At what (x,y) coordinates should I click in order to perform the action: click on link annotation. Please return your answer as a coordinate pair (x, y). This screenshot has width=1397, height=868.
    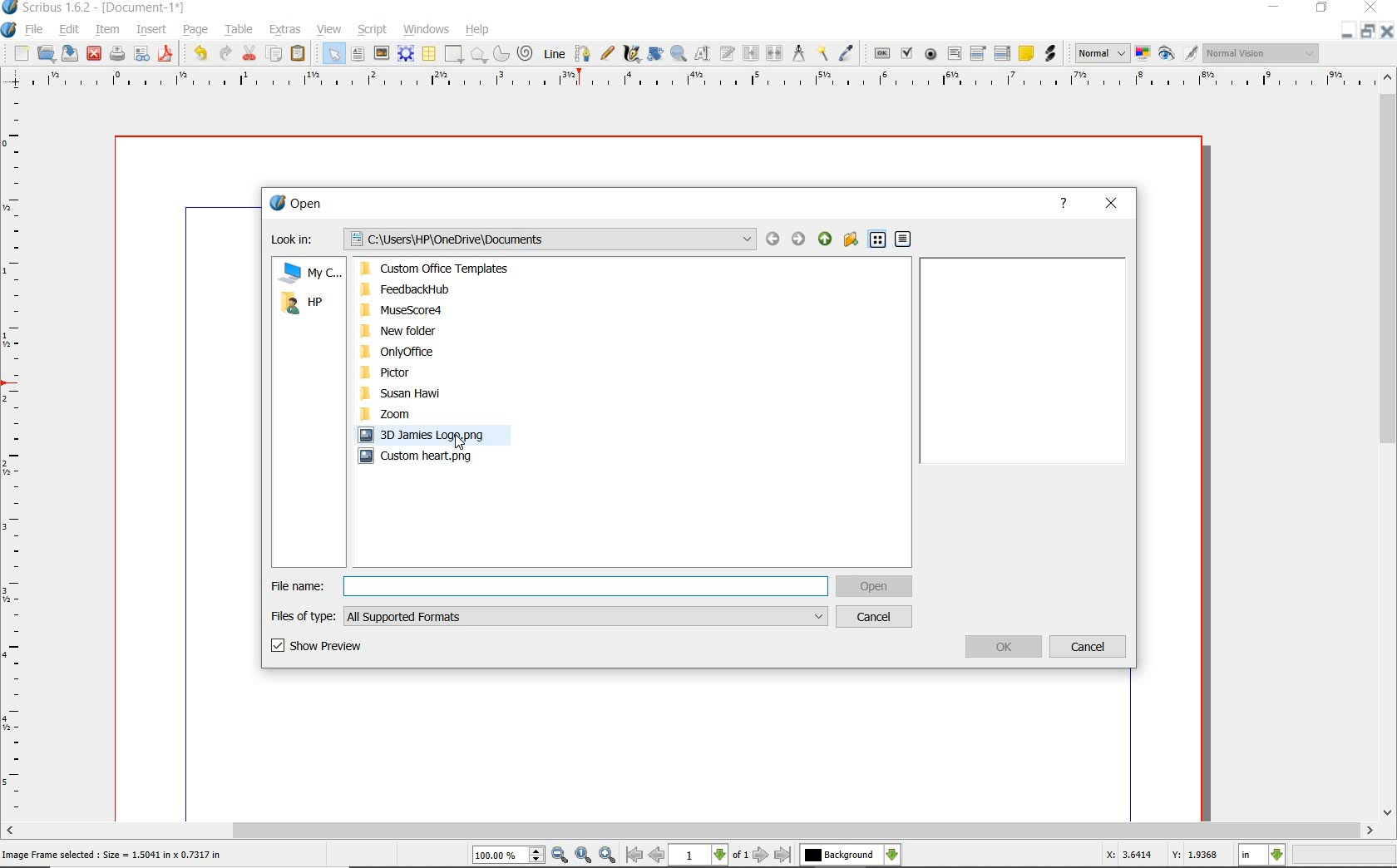
    Looking at the image, I should click on (1049, 53).